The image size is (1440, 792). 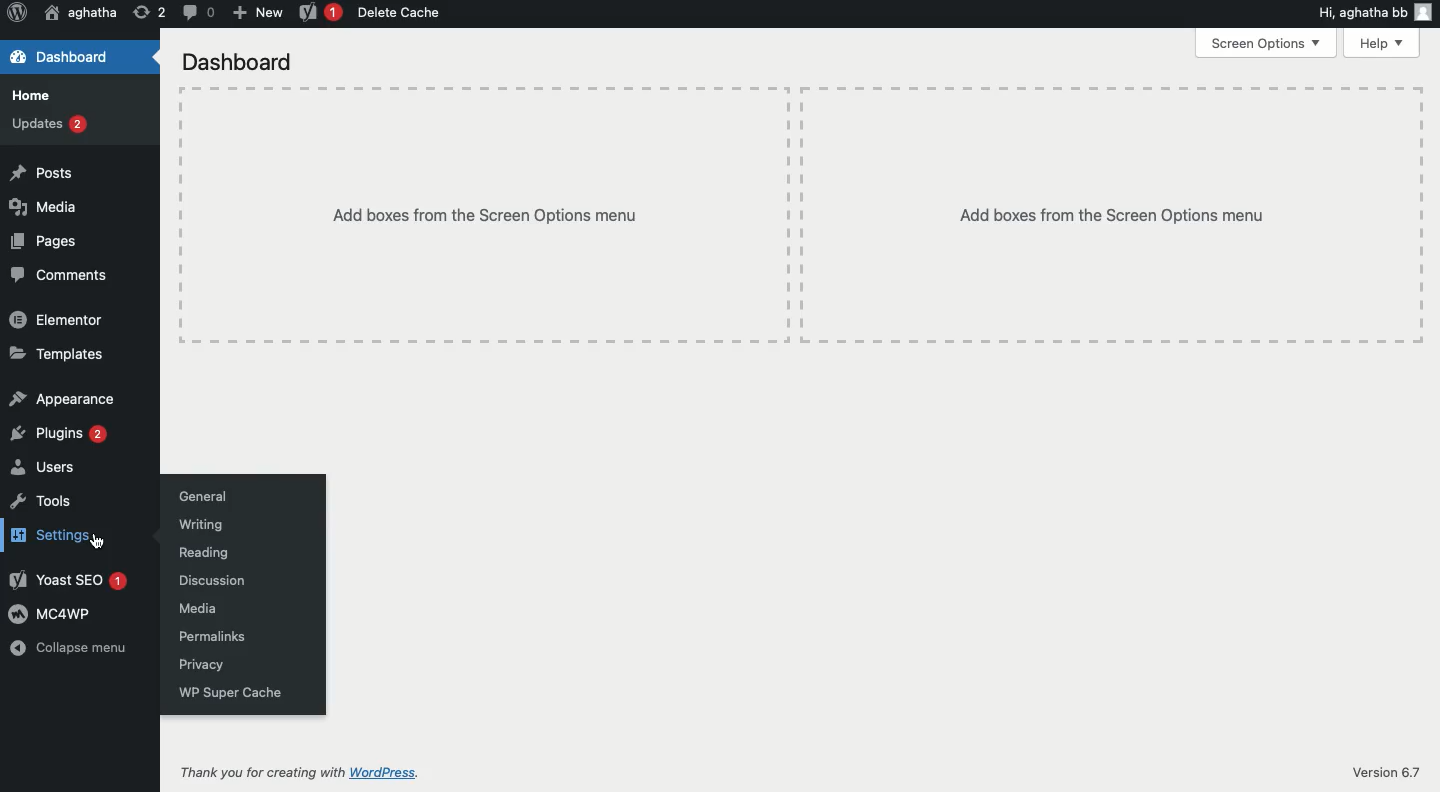 I want to click on Home, so click(x=35, y=96).